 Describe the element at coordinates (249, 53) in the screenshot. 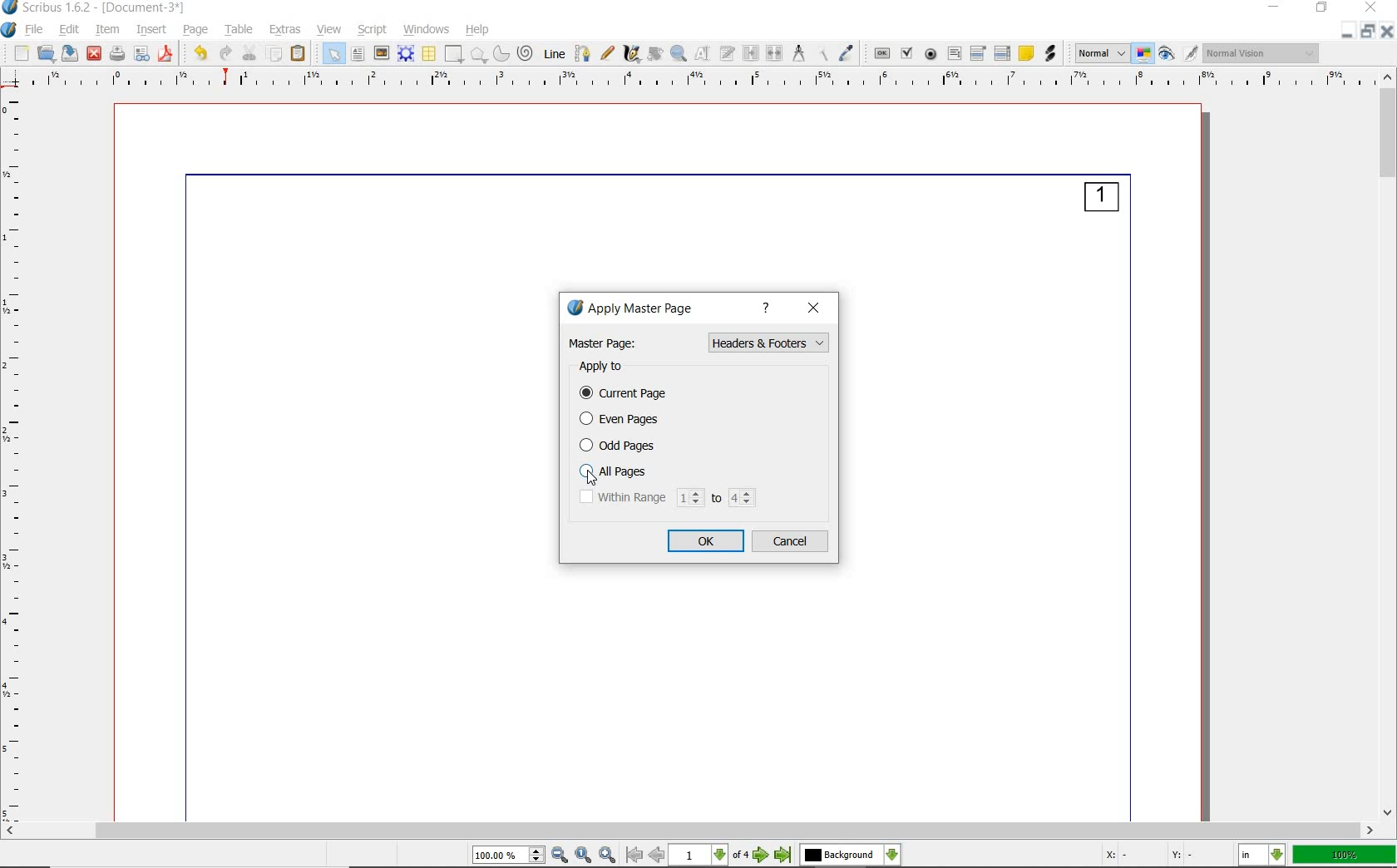

I see `cut` at that location.